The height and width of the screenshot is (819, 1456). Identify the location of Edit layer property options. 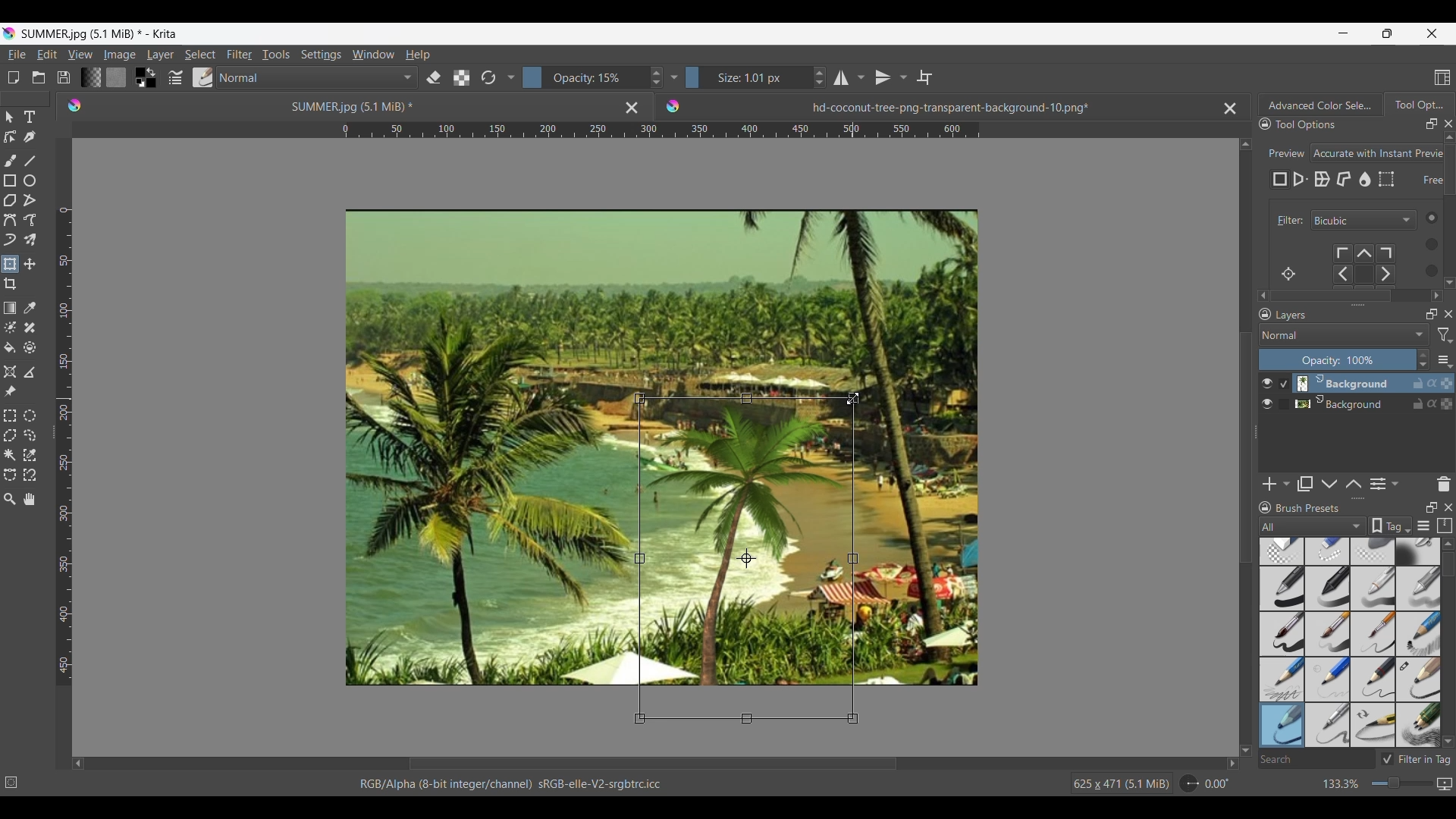
(1395, 484).